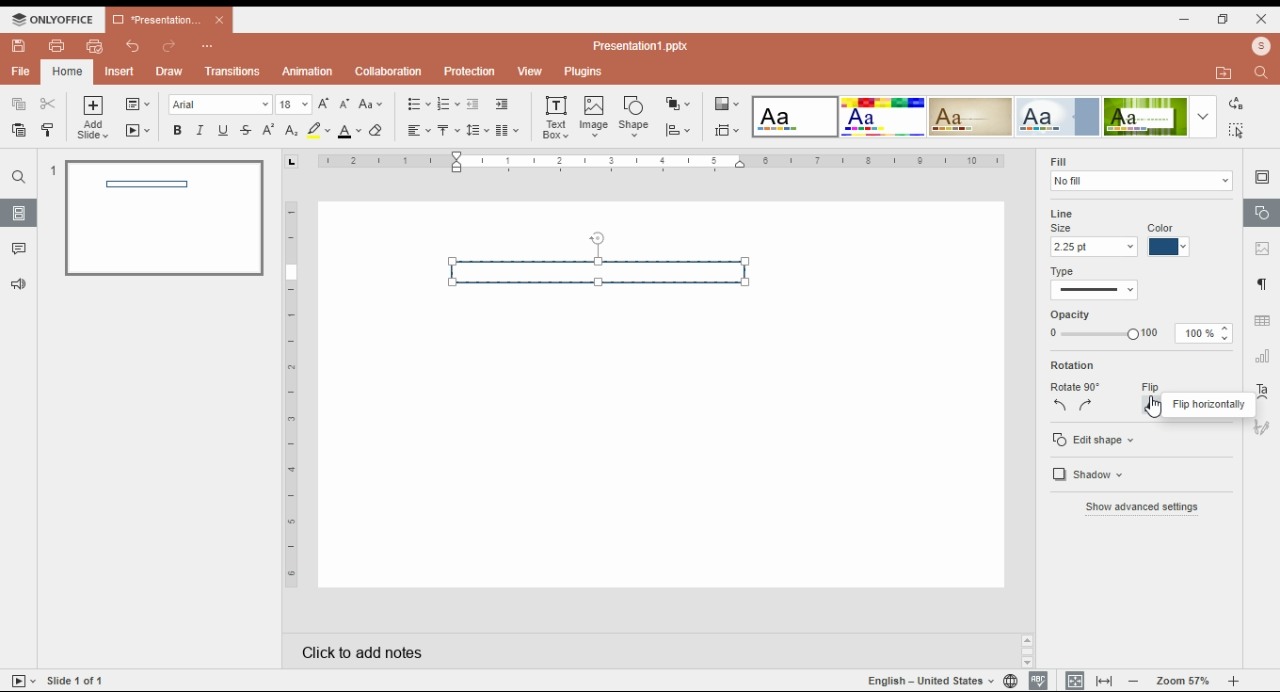 The width and height of the screenshot is (1280, 692). Describe the element at coordinates (1059, 161) in the screenshot. I see `fill` at that location.